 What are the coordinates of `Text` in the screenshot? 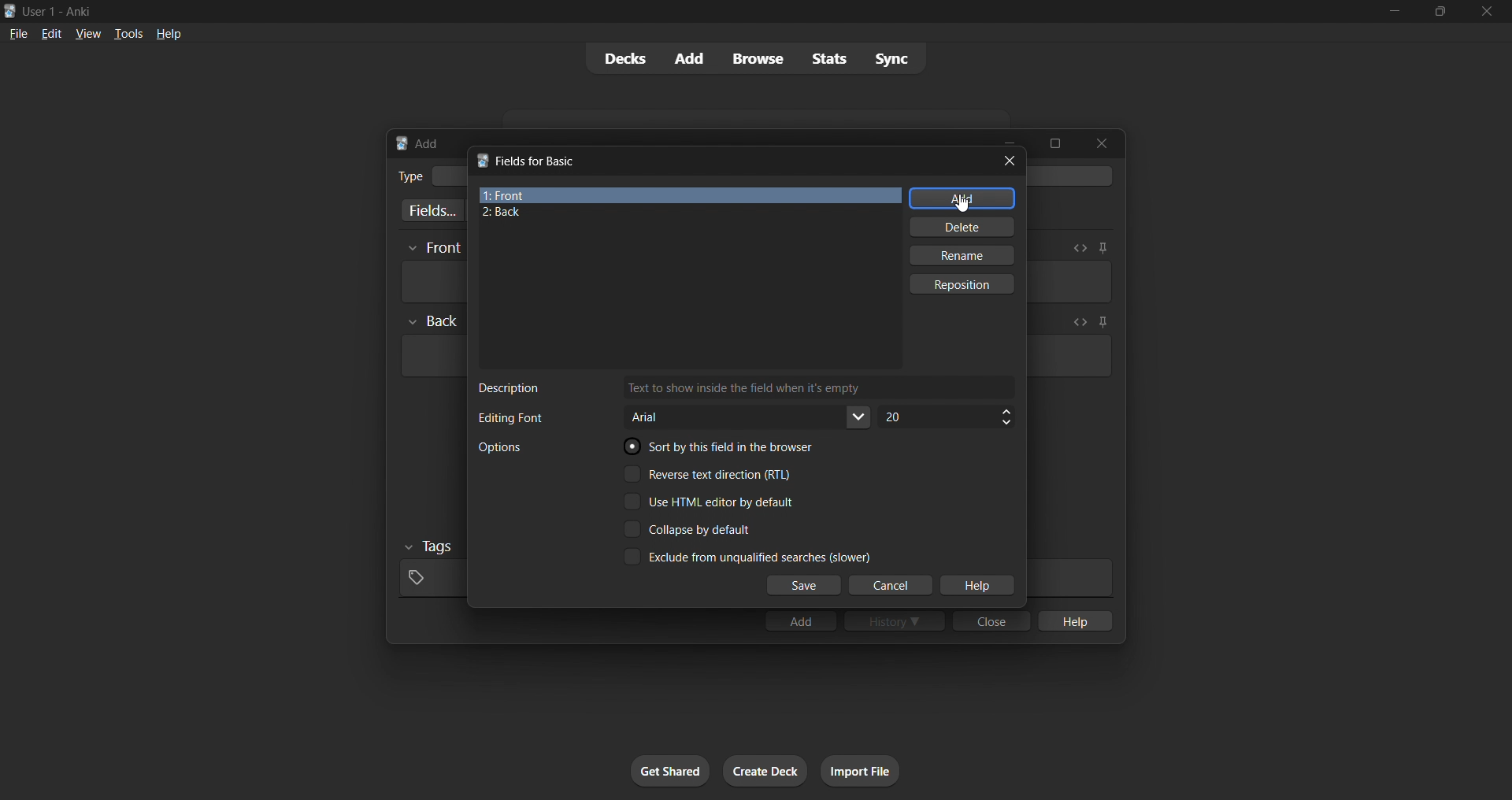 It's located at (60, 13).